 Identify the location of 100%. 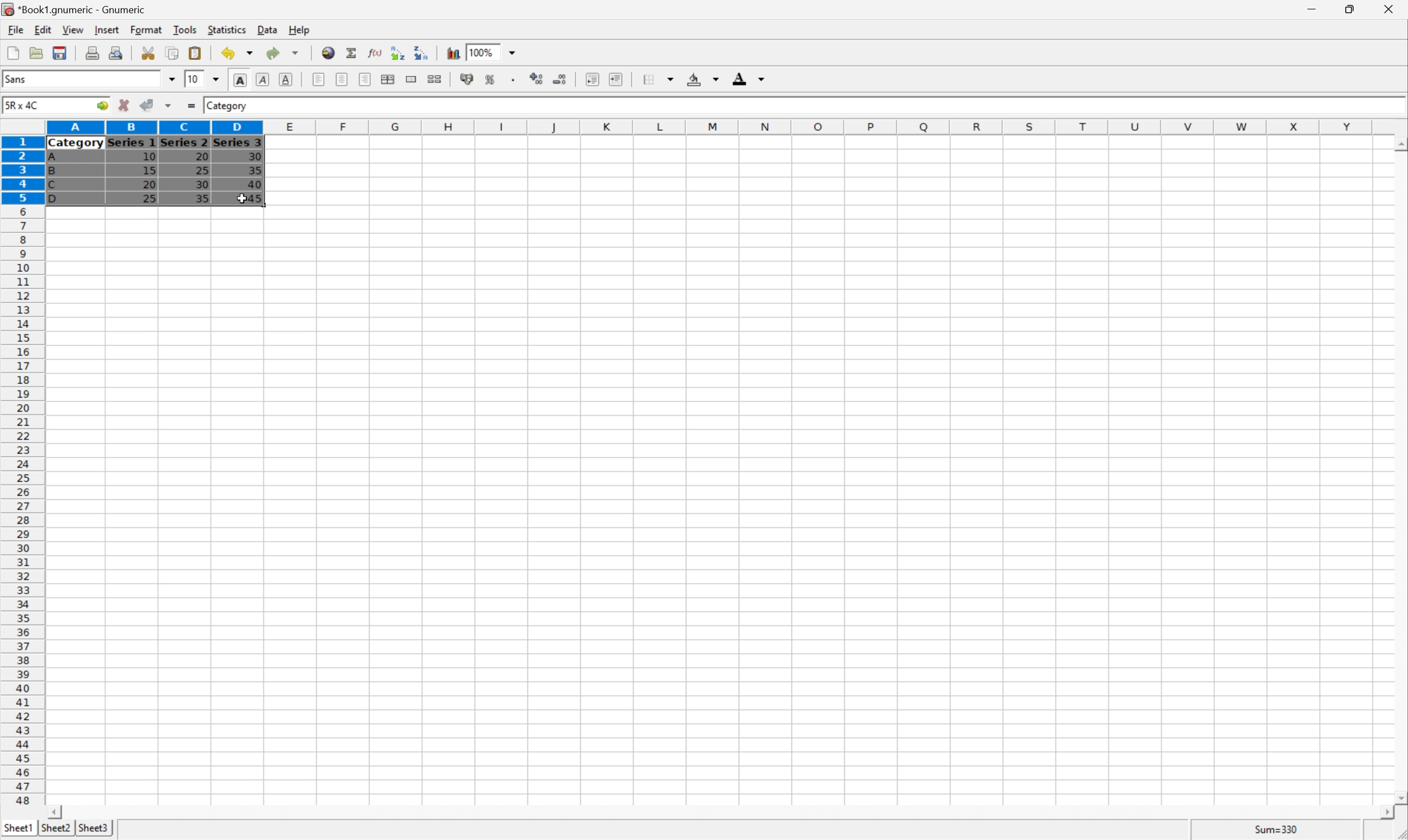
(482, 52).